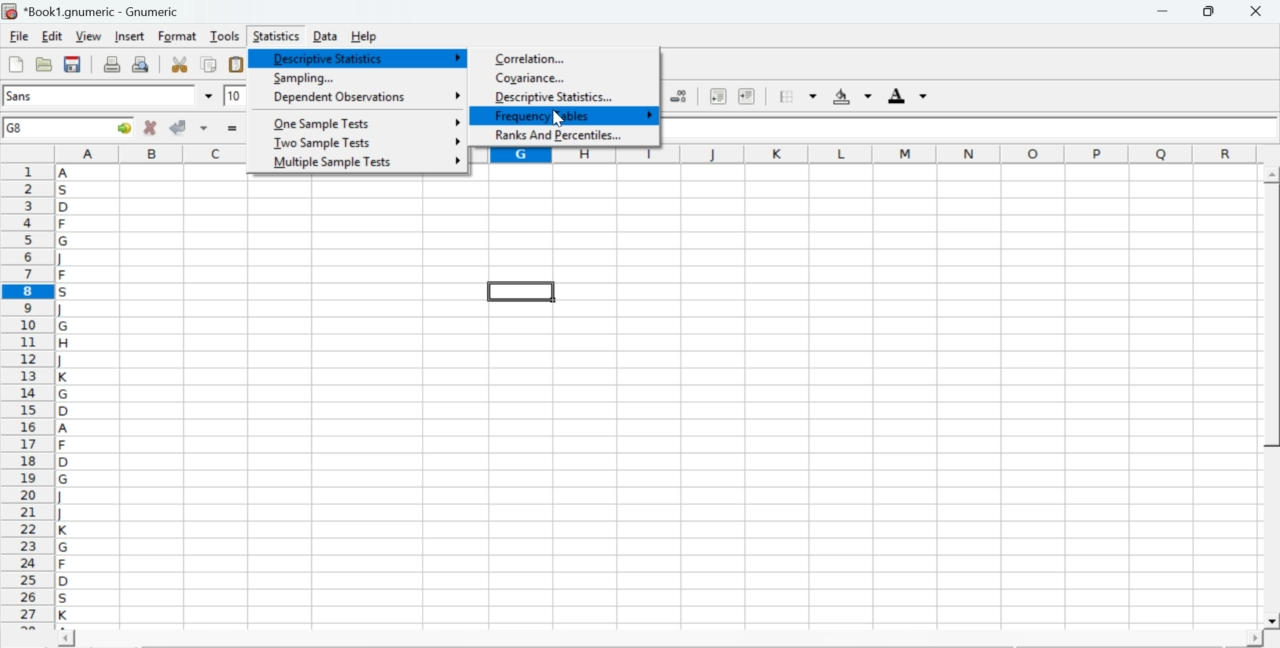 This screenshot has height=648, width=1280. I want to click on insert, so click(128, 35).